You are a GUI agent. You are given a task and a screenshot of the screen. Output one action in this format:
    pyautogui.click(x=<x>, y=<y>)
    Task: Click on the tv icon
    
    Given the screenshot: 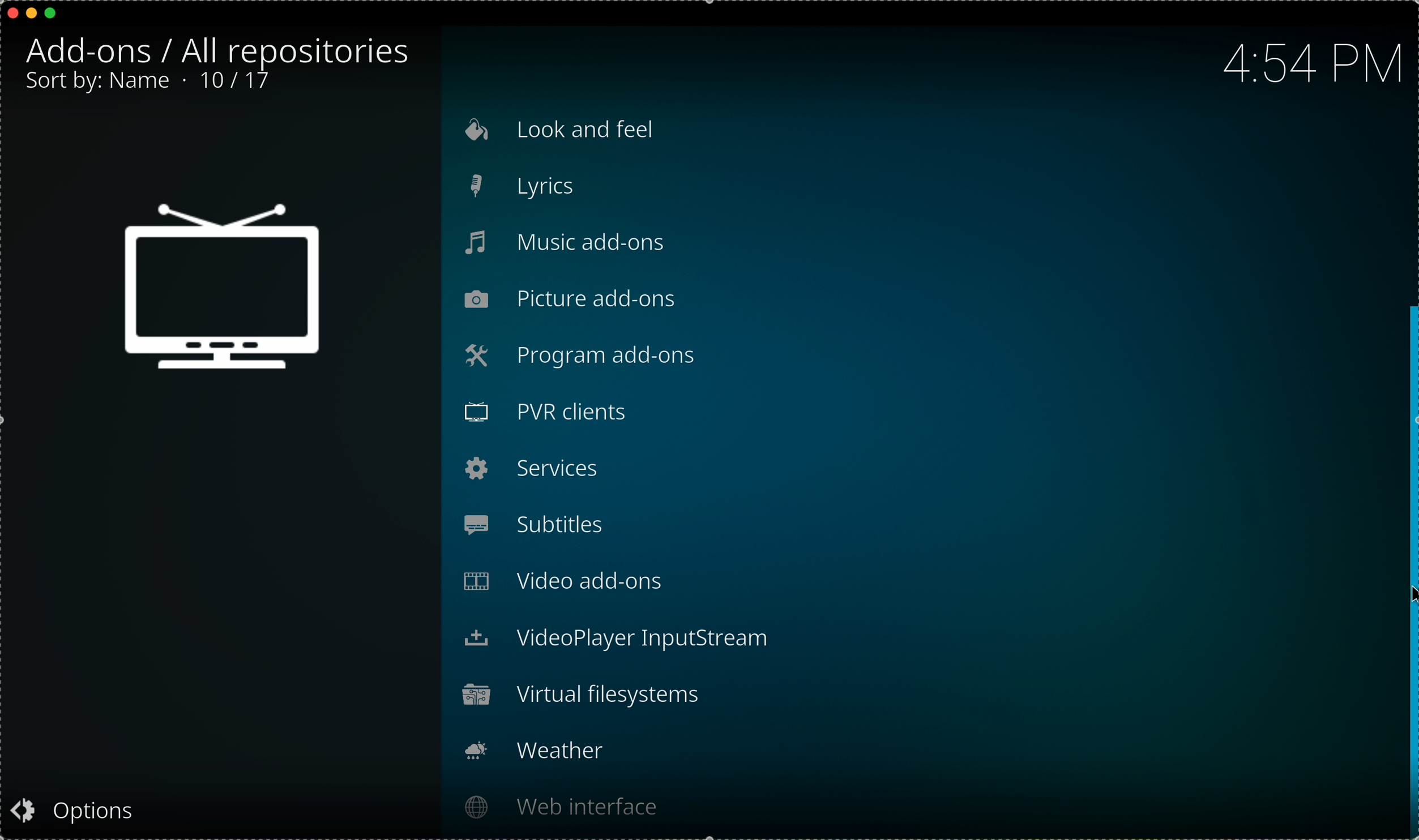 What is the action you would take?
    pyautogui.click(x=225, y=294)
    